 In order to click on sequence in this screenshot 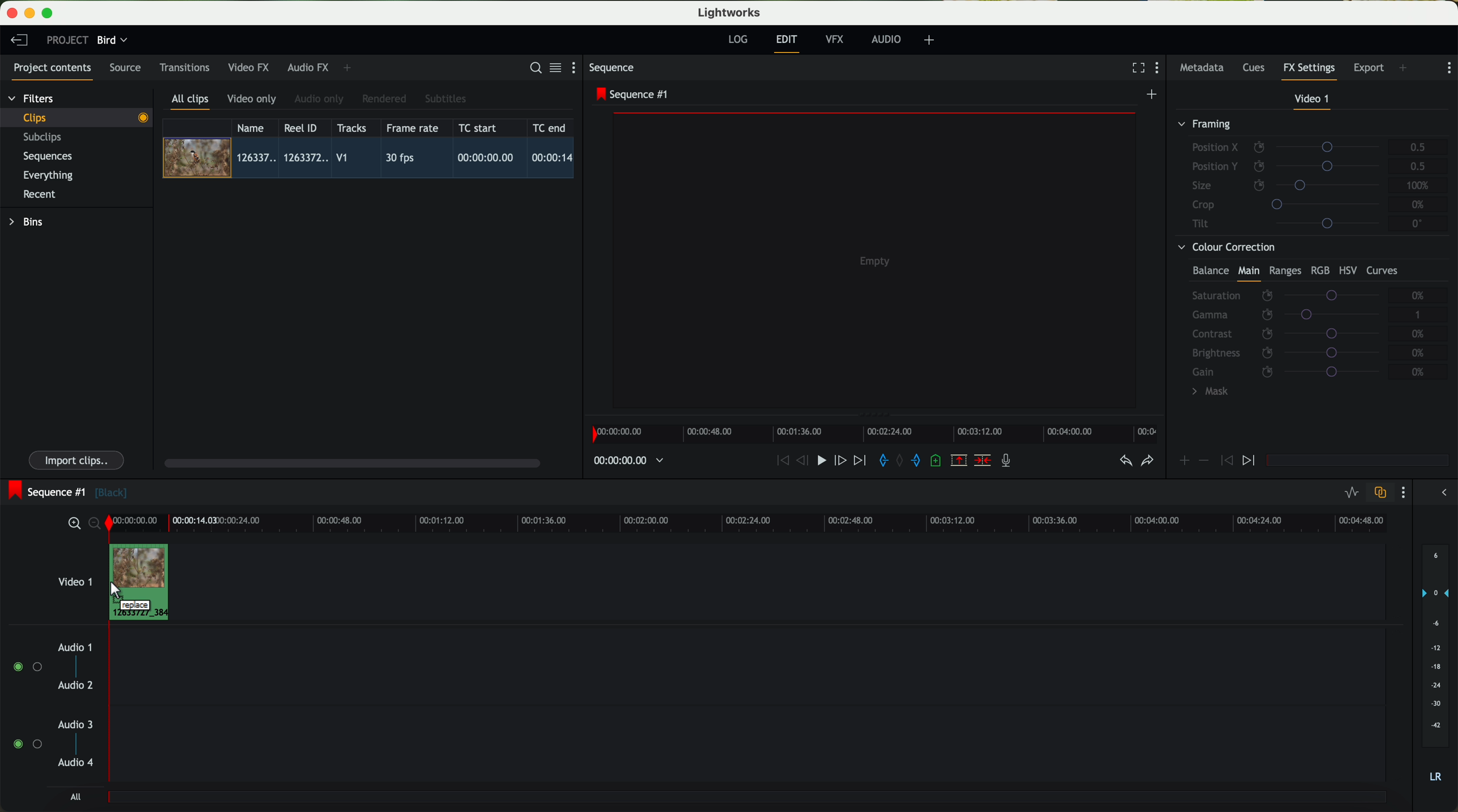, I will do `click(612, 68)`.